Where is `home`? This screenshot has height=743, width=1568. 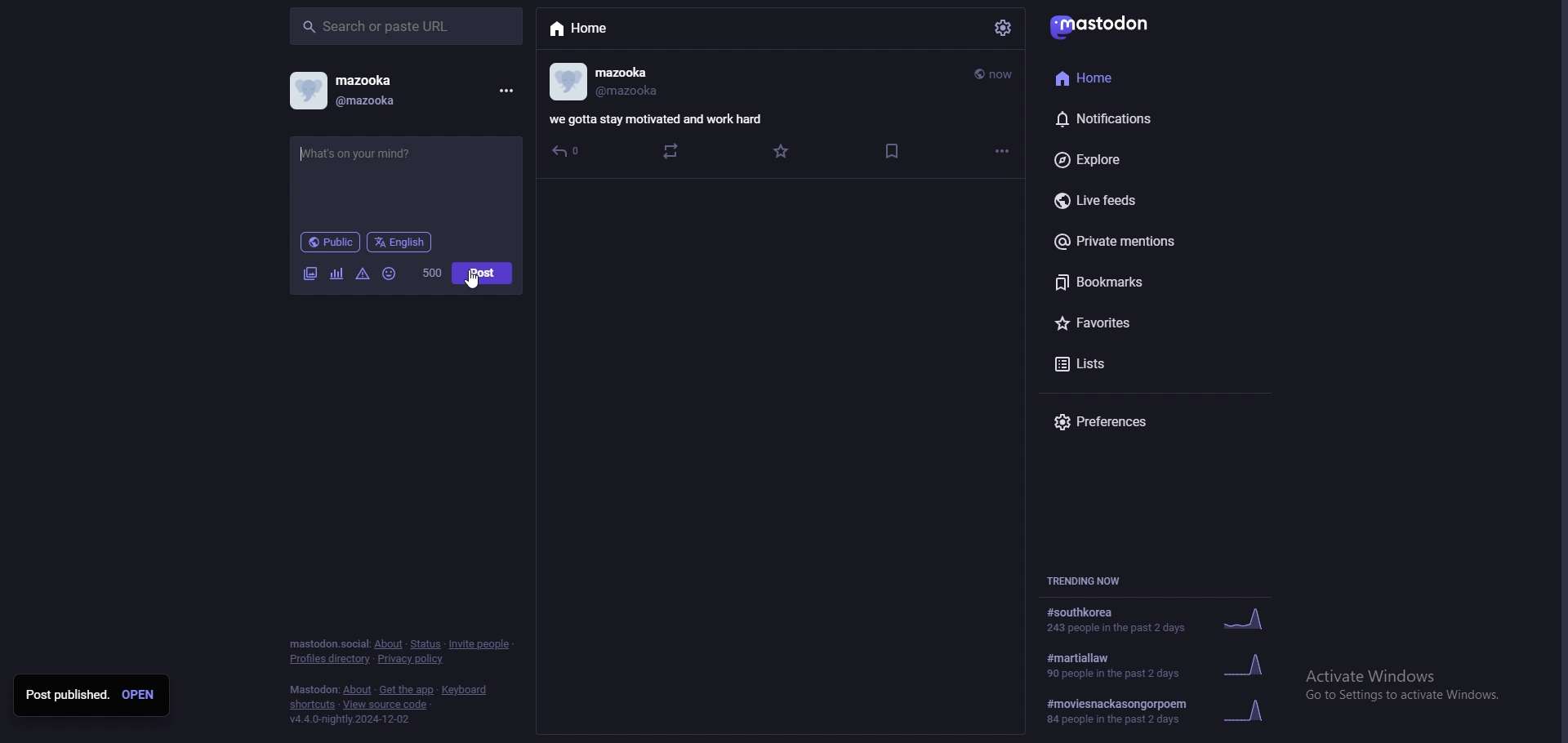 home is located at coordinates (1113, 78).